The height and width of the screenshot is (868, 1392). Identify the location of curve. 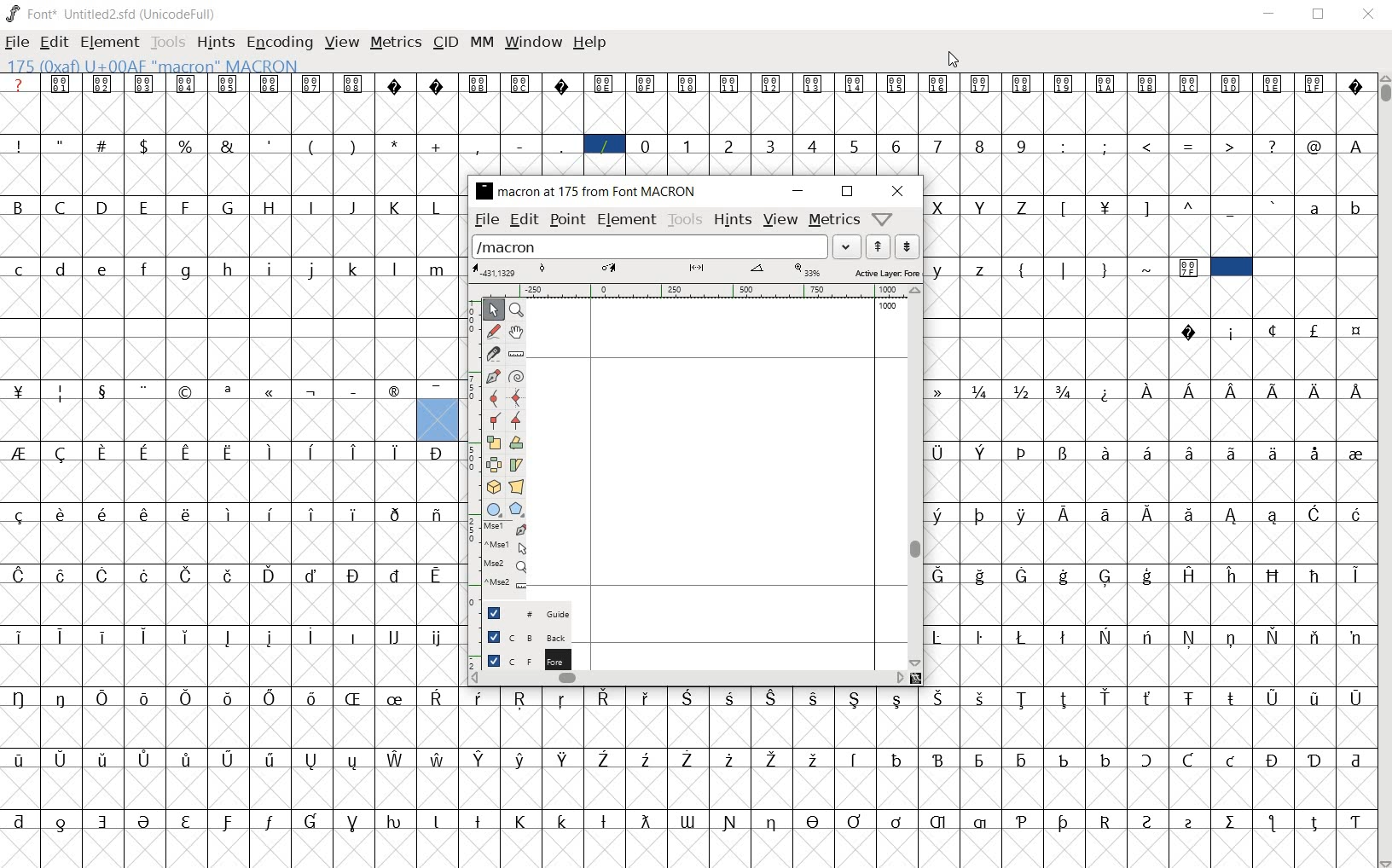
(490, 398).